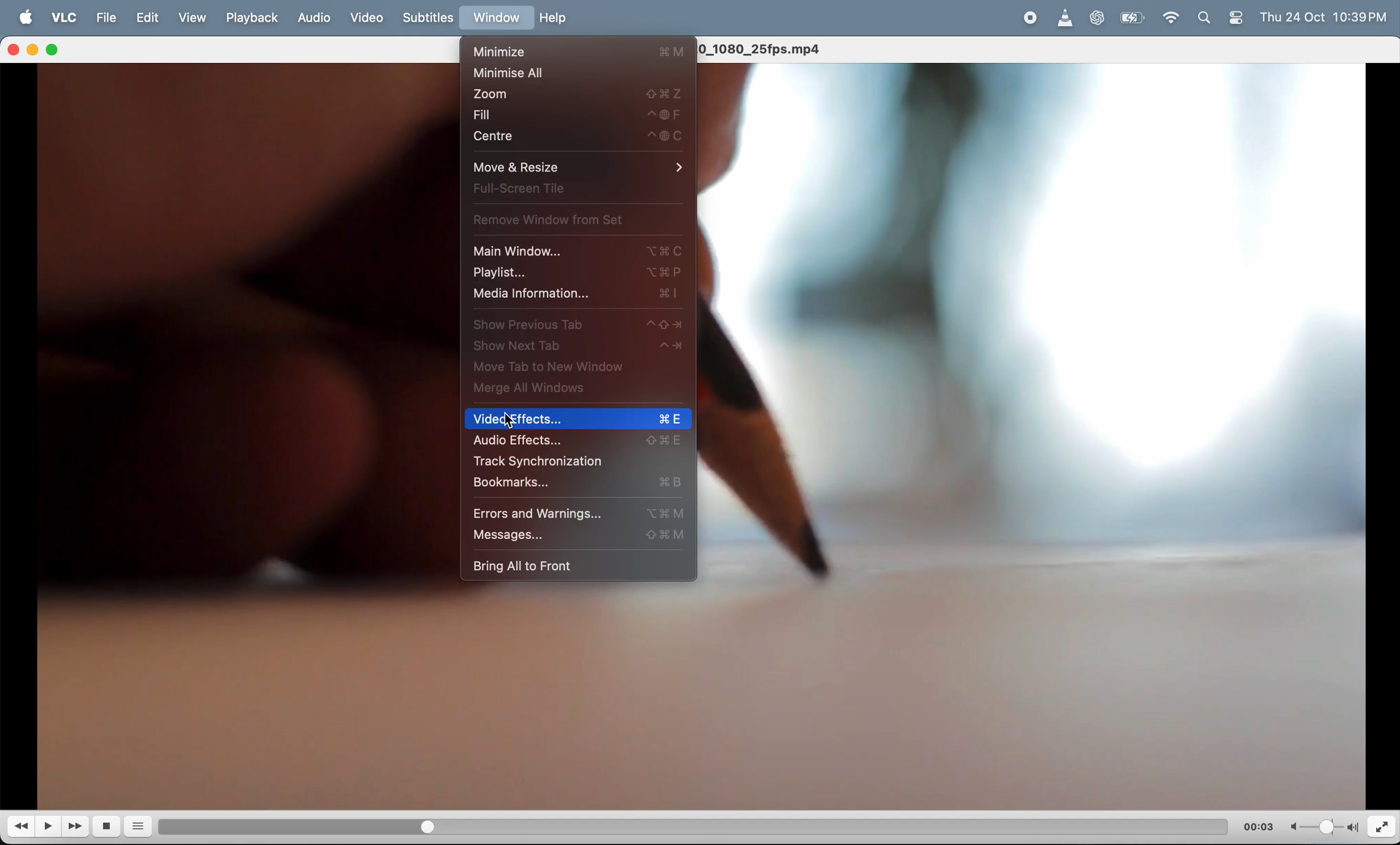 The height and width of the screenshot is (845, 1400). What do you see at coordinates (1101, 19) in the screenshot?
I see `chatgpt` at bounding box center [1101, 19].